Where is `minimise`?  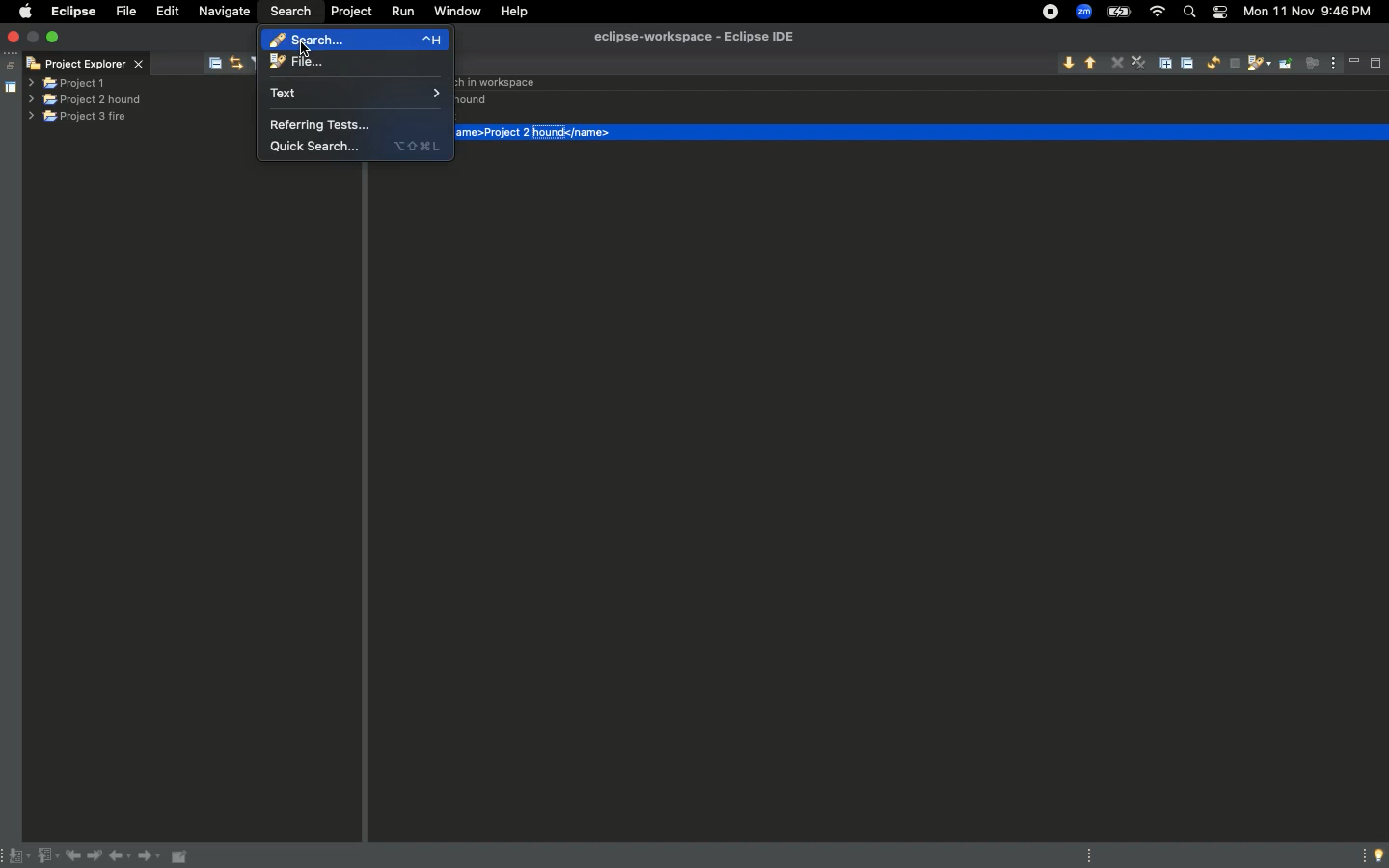 minimise is located at coordinates (35, 38).